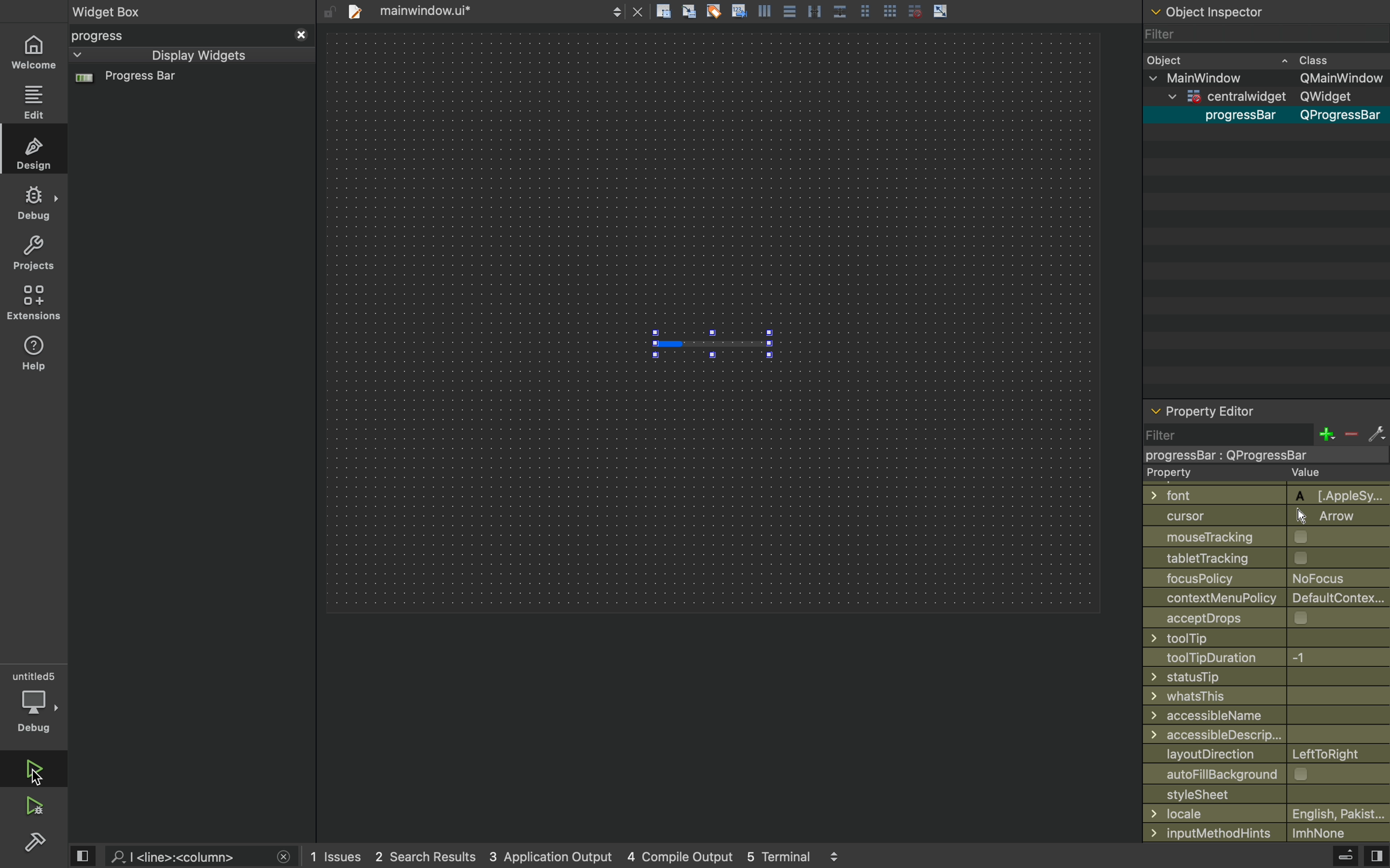 This screenshot has width=1390, height=868. What do you see at coordinates (1254, 59) in the screenshot?
I see `object` at bounding box center [1254, 59].